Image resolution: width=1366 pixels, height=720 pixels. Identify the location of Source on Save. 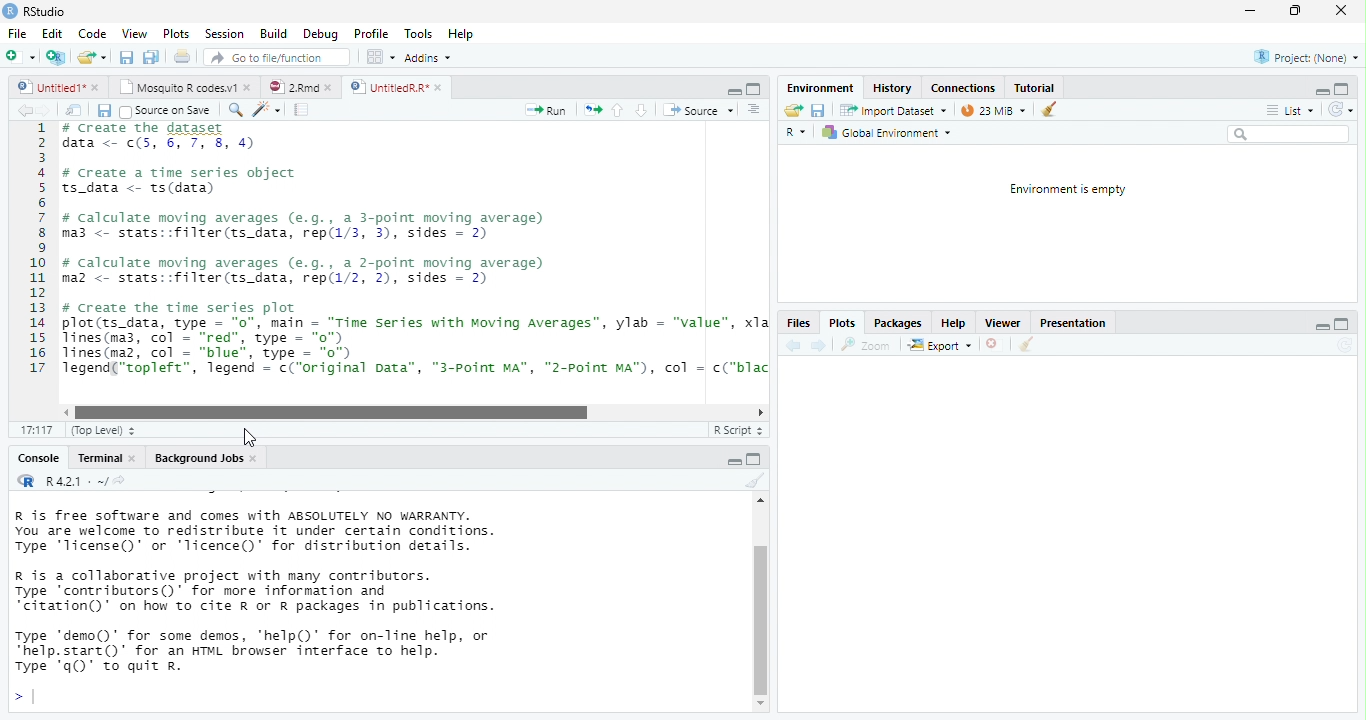
(164, 111).